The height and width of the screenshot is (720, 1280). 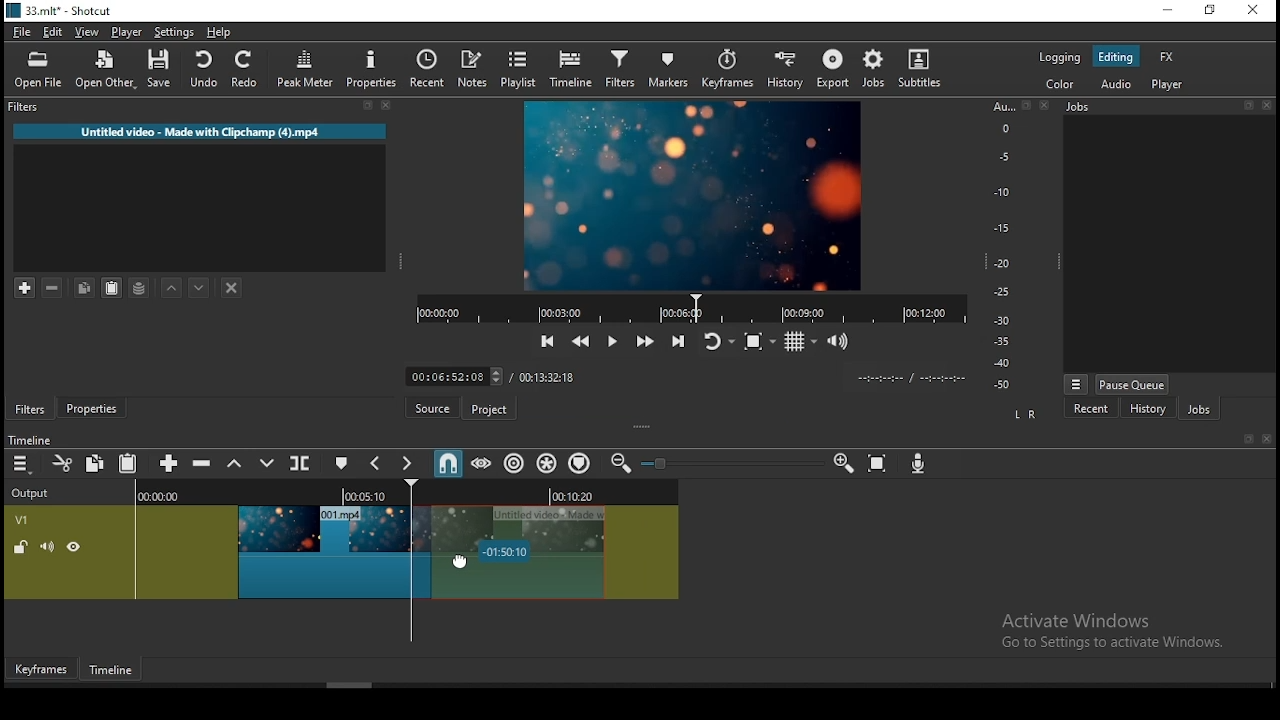 I want to click on scrub while dragging, so click(x=483, y=464).